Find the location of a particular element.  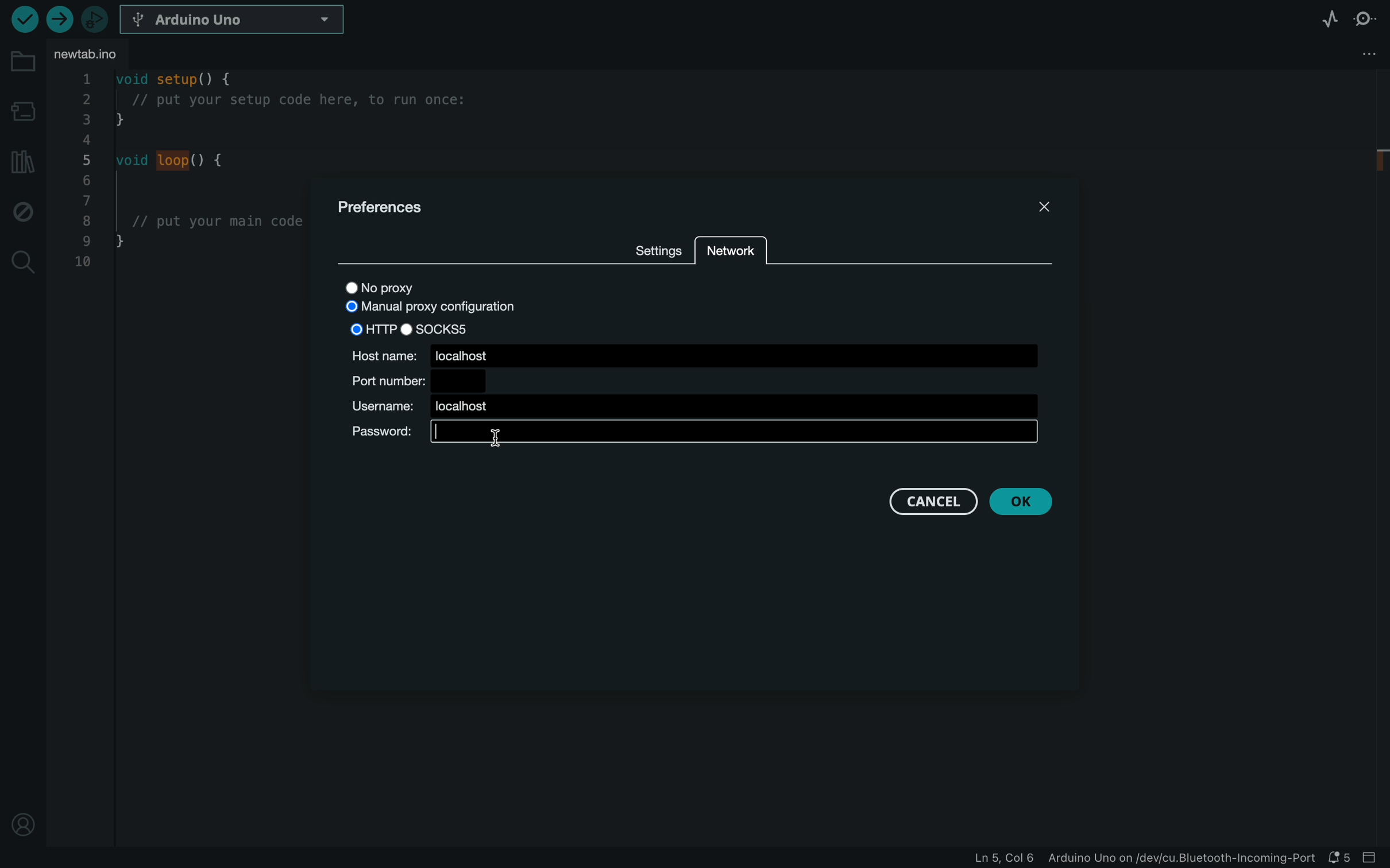

HTTP  is located at coordinates (372, 328).